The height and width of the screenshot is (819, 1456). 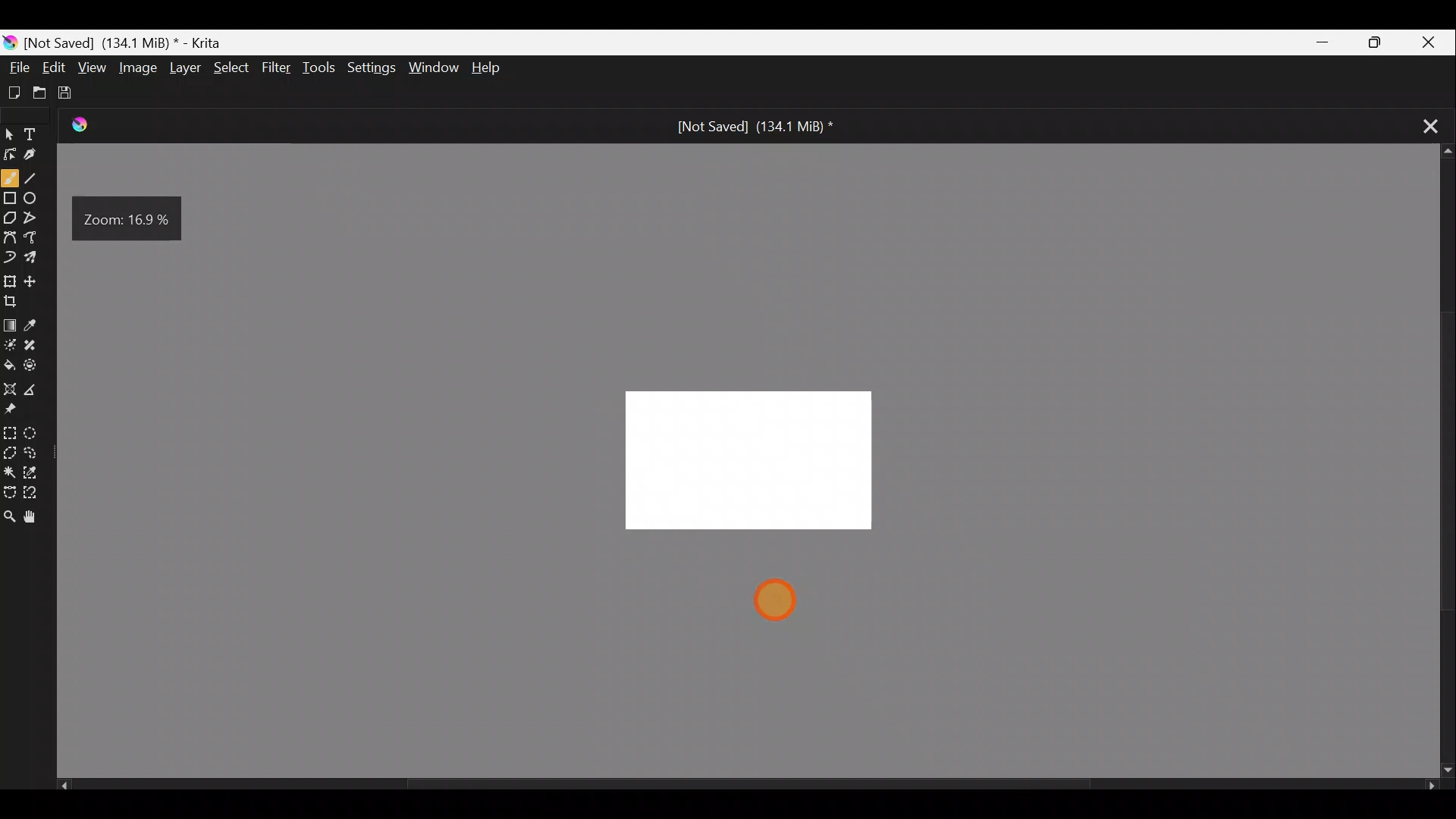 What do you see at coordinates (36, 450) in the screenshot?
I see `Freehand selection tool` at bounding box center [36, 450].